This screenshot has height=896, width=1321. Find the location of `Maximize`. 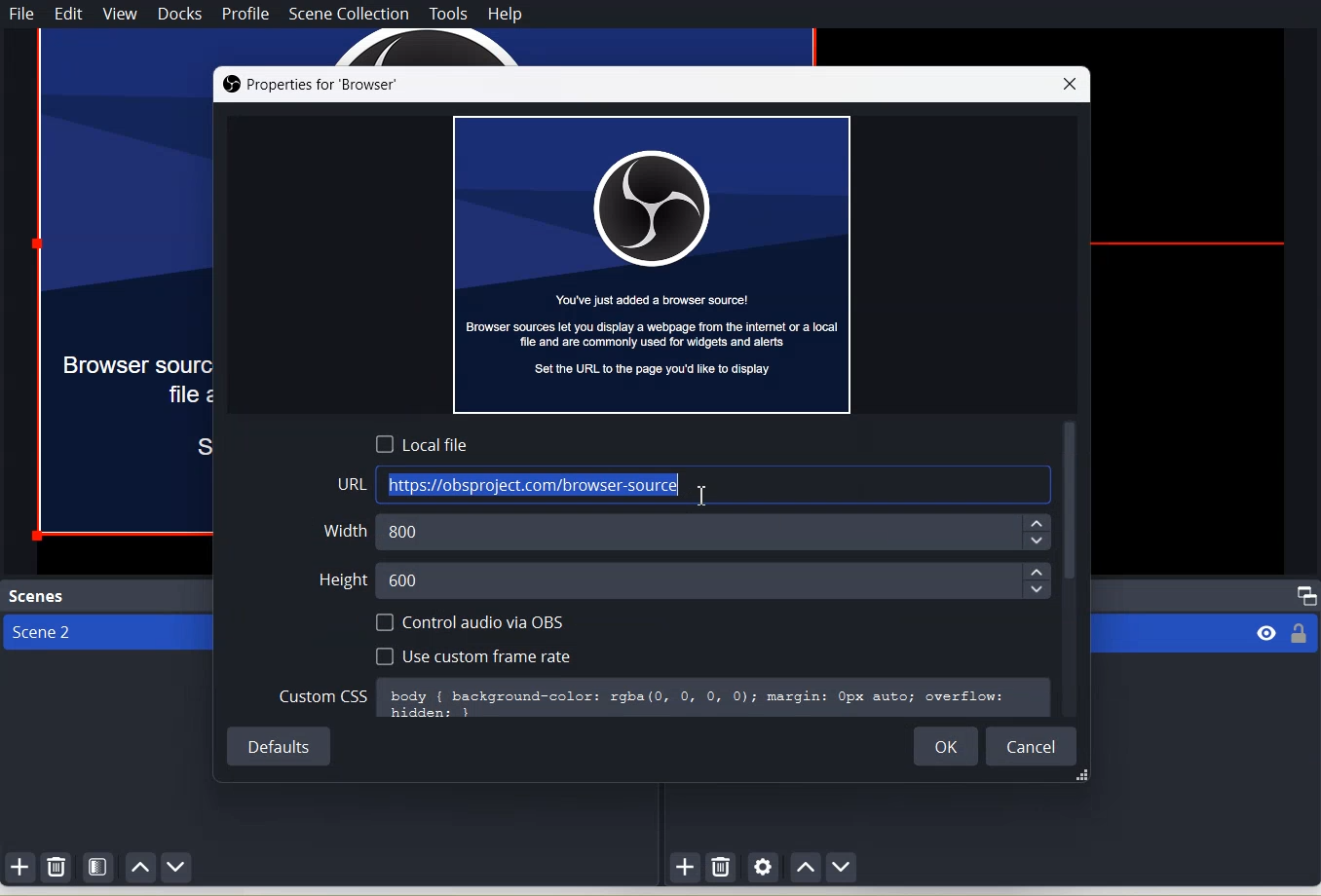

Maximize is located at coordinates (1307, 596).